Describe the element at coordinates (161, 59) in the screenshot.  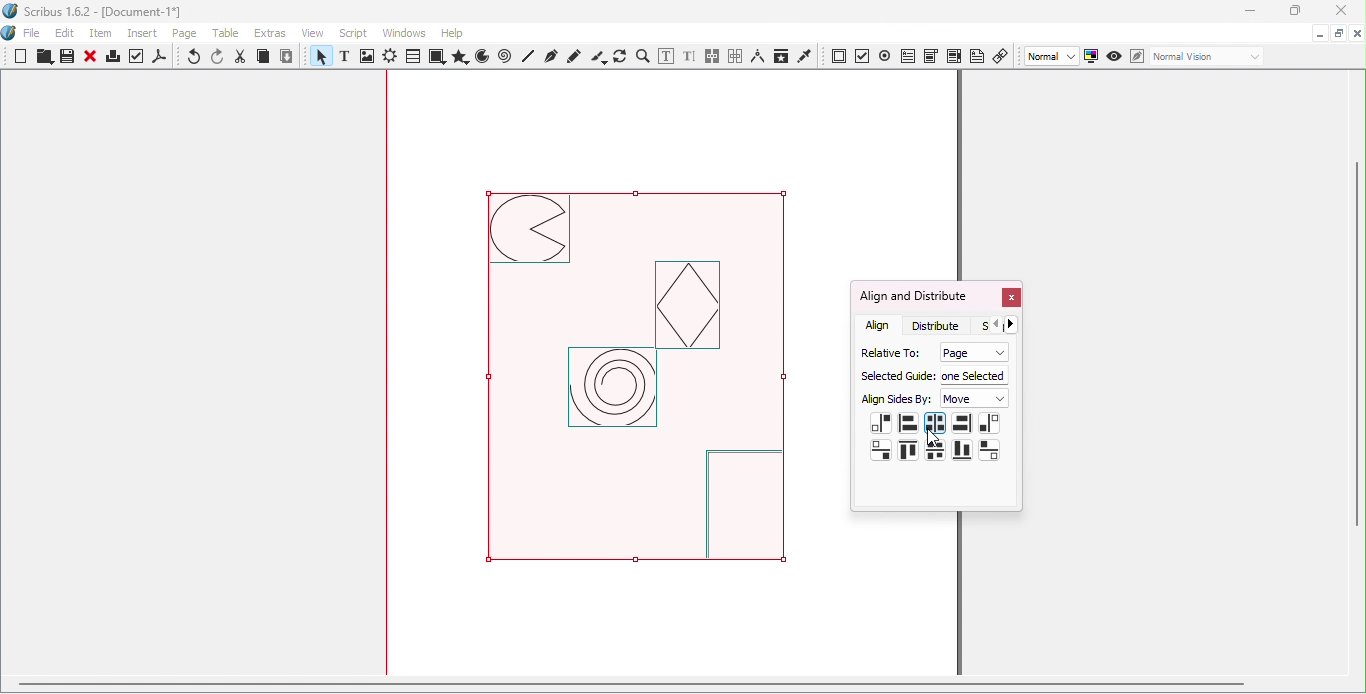
I see `save as PDF` at that location.